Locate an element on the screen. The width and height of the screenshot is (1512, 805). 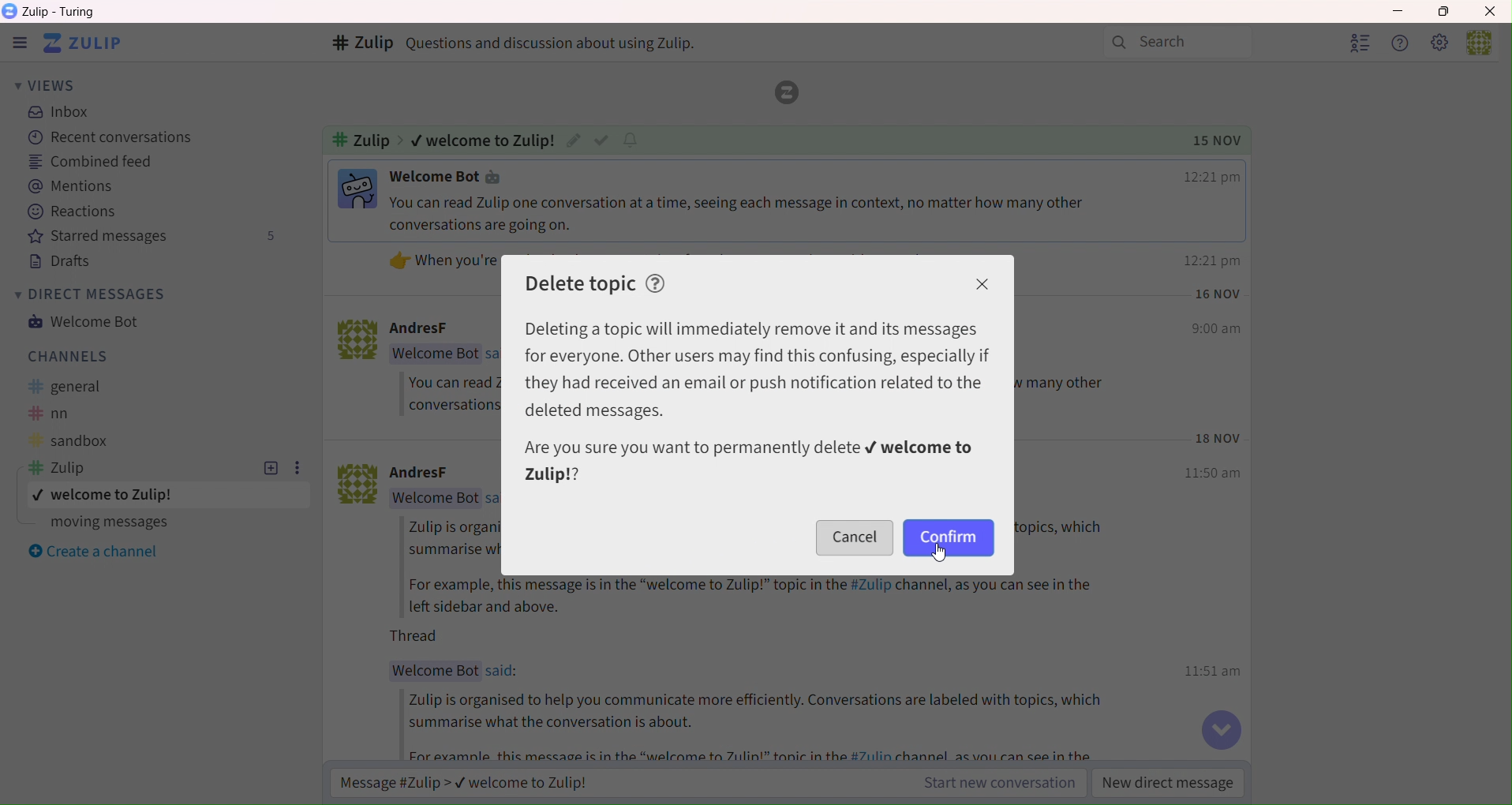
Edit is located at coordinates (572, 140).